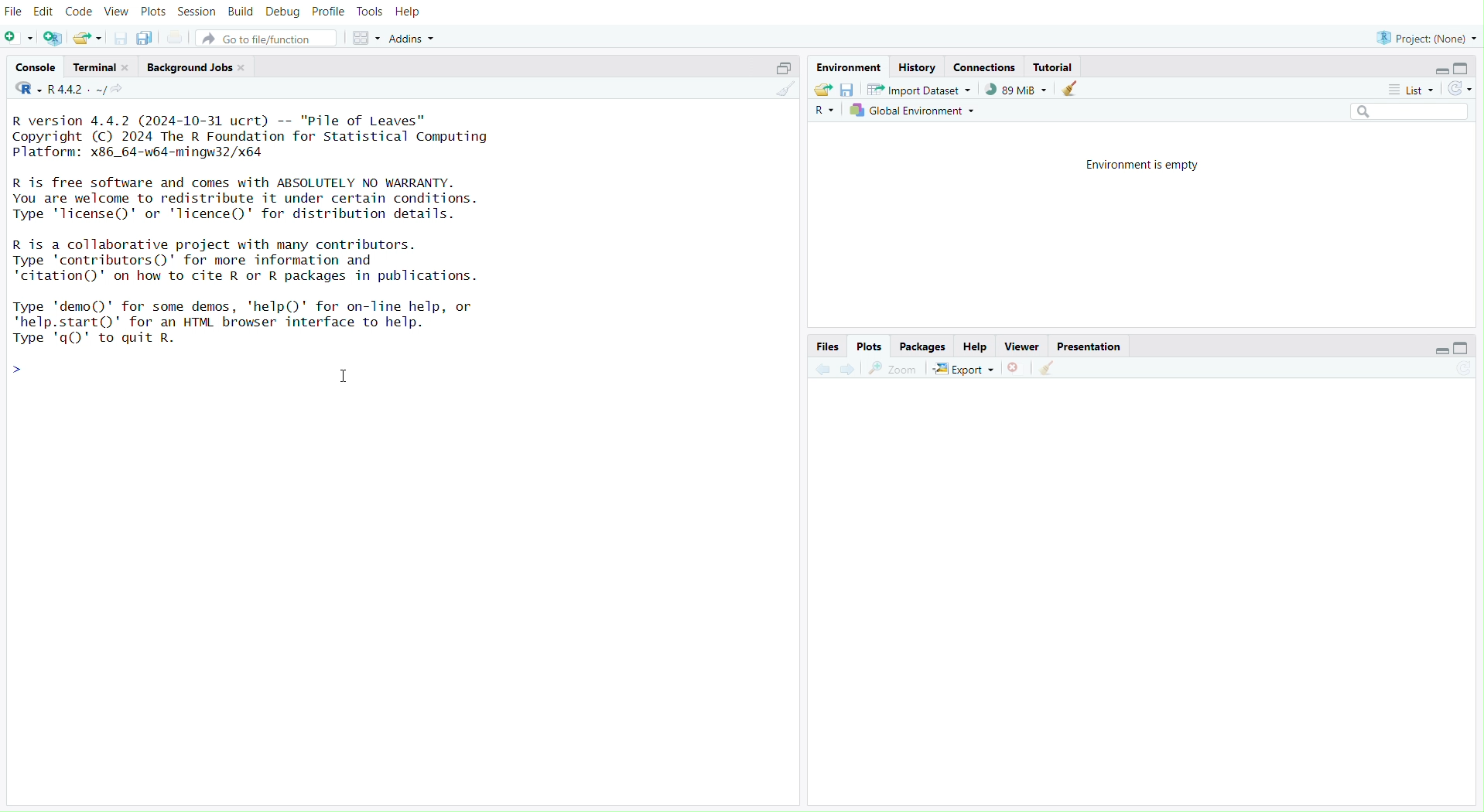  Describe the element at coordinates (850, 367) in the screenshot. I see `Go forward to the next source location (Ctrl + F10)` at that location.